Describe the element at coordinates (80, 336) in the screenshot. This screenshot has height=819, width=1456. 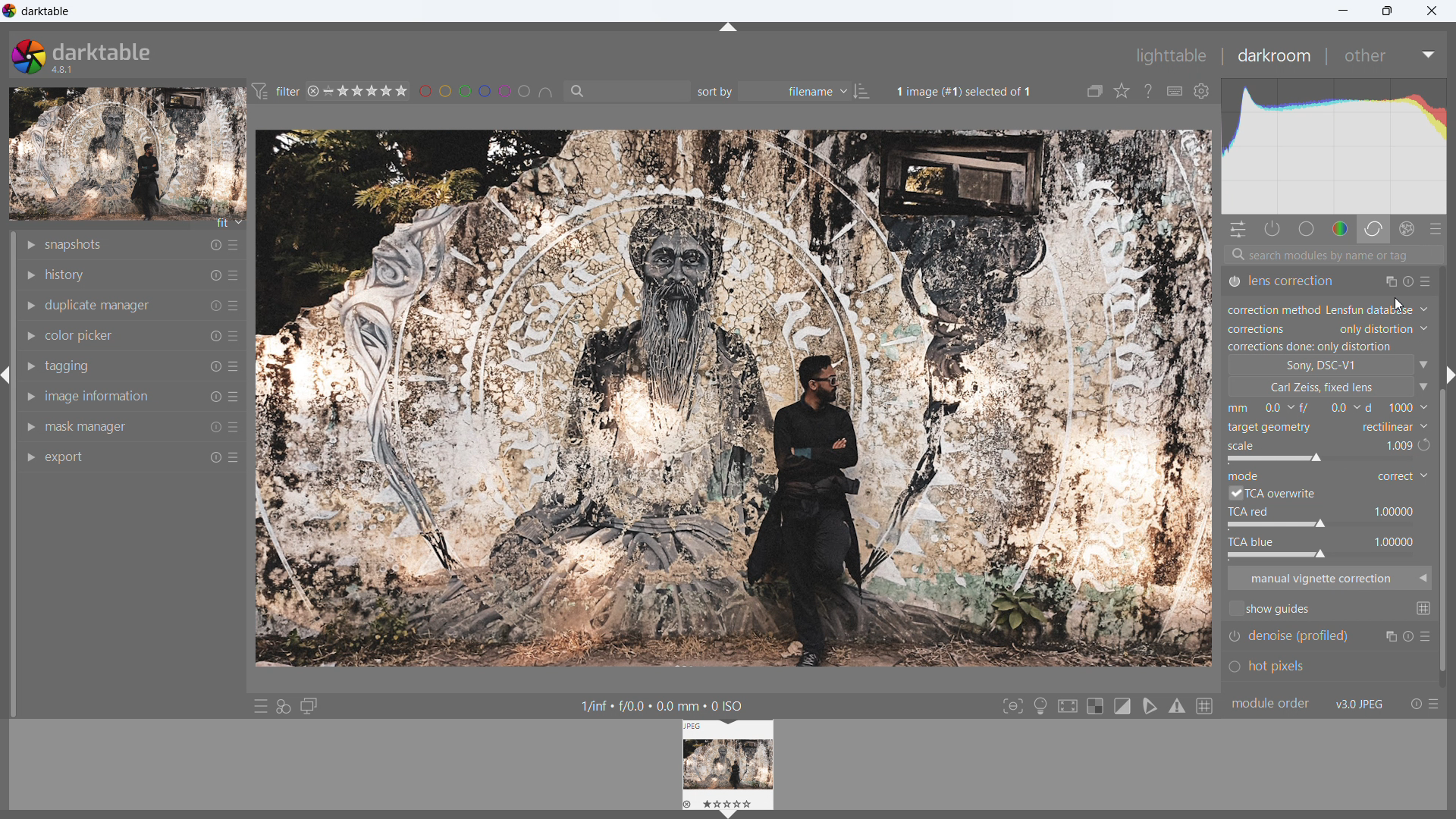
I see `color picker` at that location.